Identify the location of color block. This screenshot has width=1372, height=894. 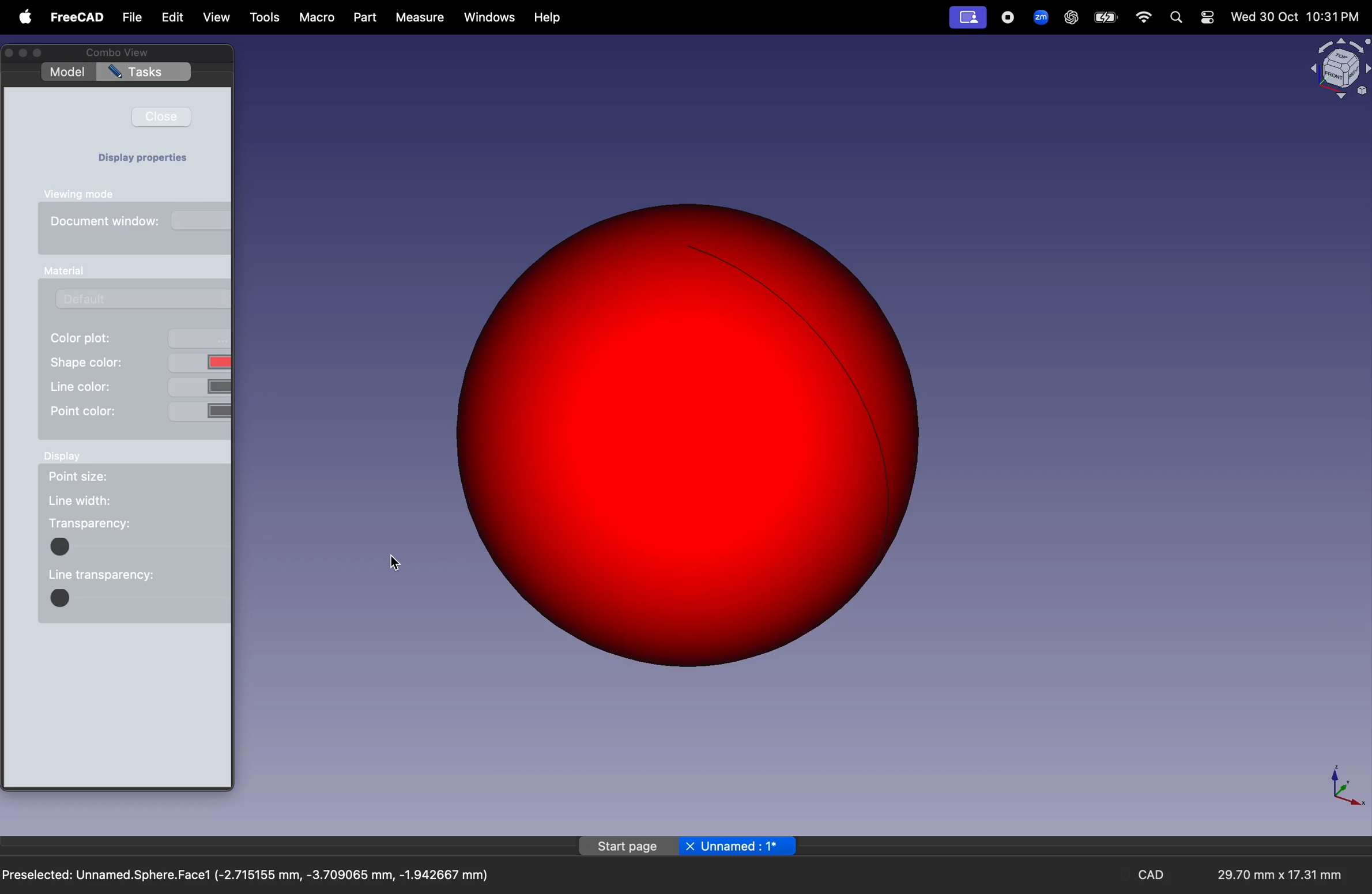
(140, 546).